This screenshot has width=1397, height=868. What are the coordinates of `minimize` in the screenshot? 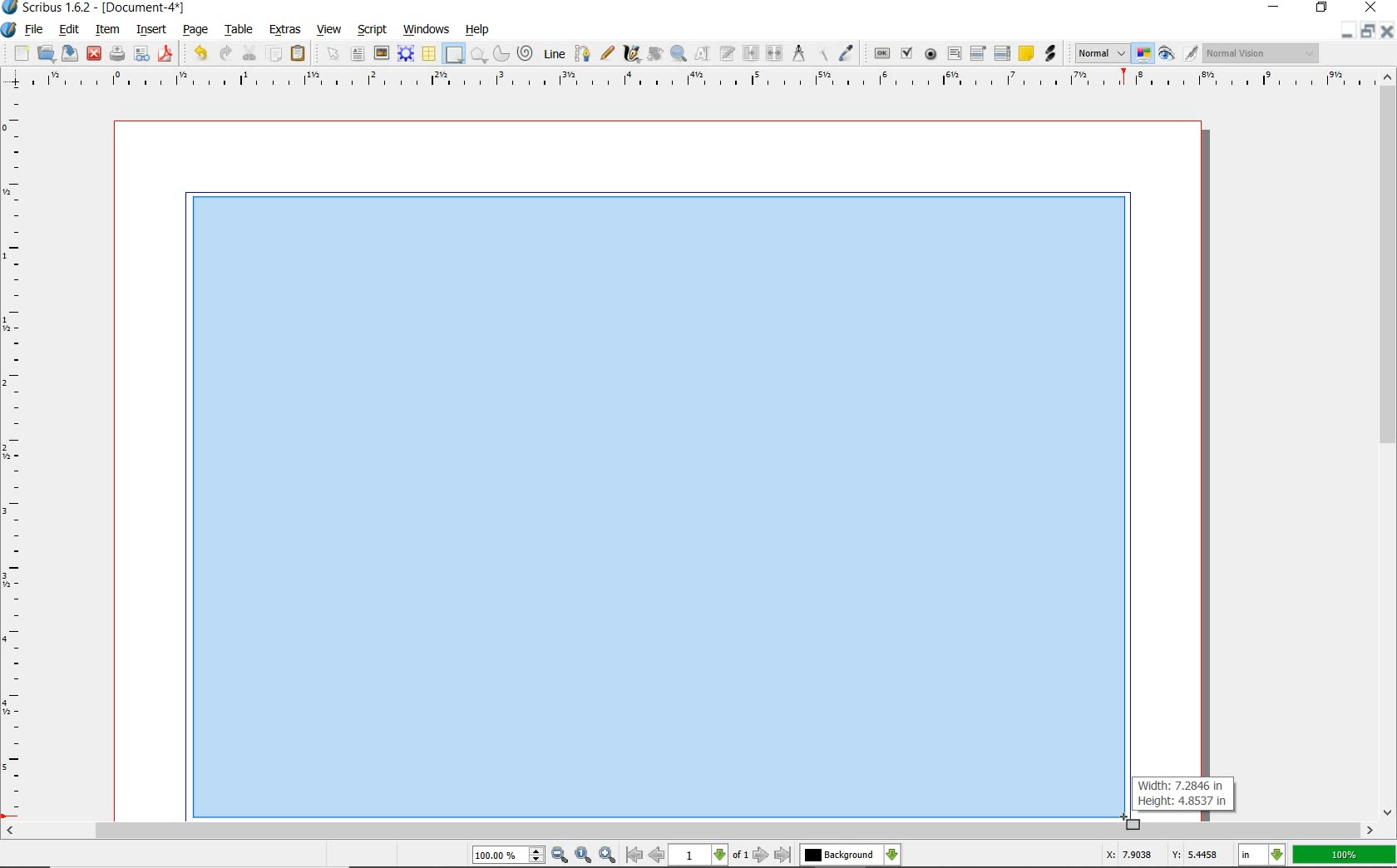 It's located at (1350, 32).